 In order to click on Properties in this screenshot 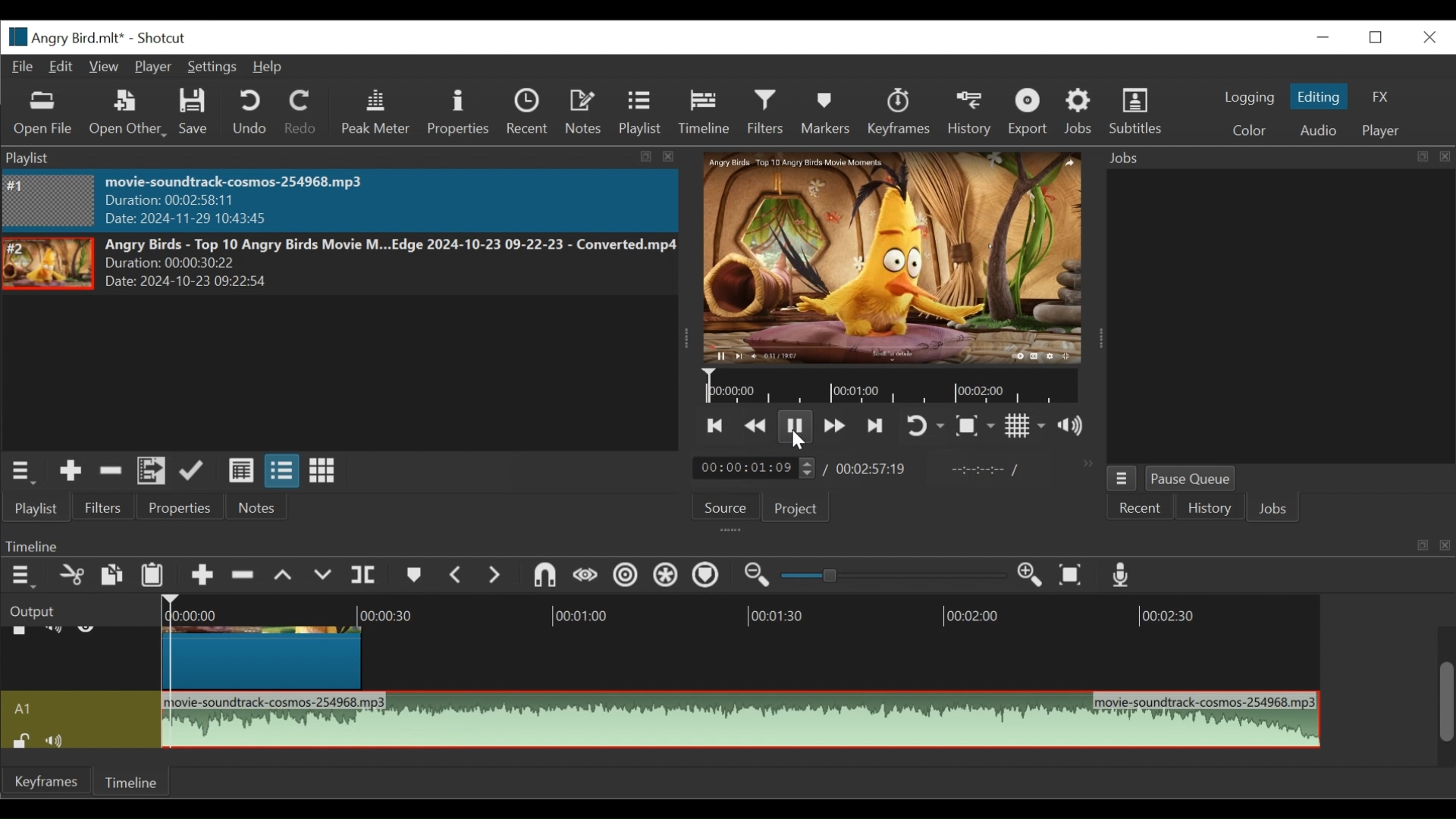, I will do `click(183, 508)`.